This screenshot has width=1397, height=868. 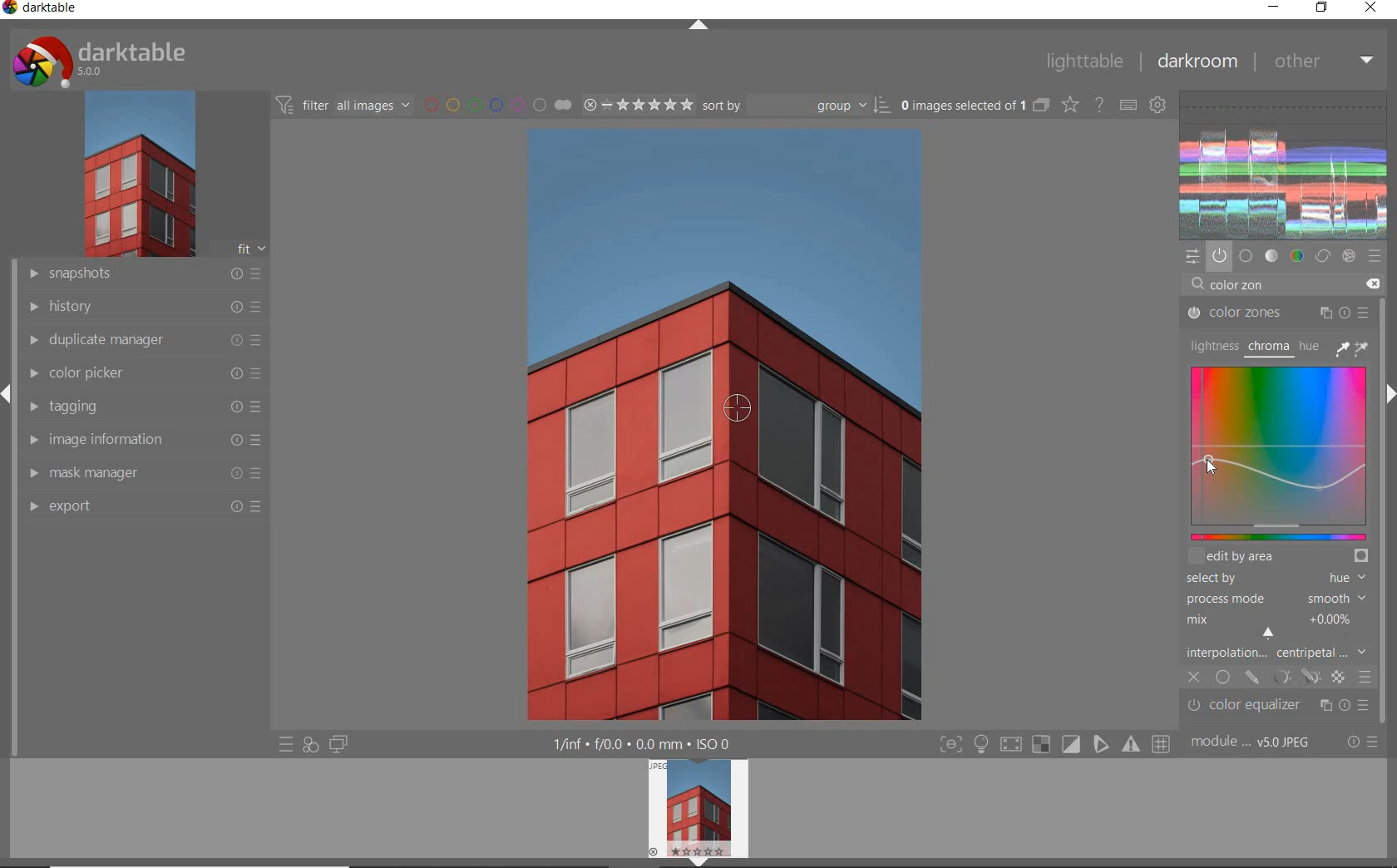 What do you see at coordinates (1072, 744) in the screenshot?
I see `soft proofing` at bounding box center [1072, 744].